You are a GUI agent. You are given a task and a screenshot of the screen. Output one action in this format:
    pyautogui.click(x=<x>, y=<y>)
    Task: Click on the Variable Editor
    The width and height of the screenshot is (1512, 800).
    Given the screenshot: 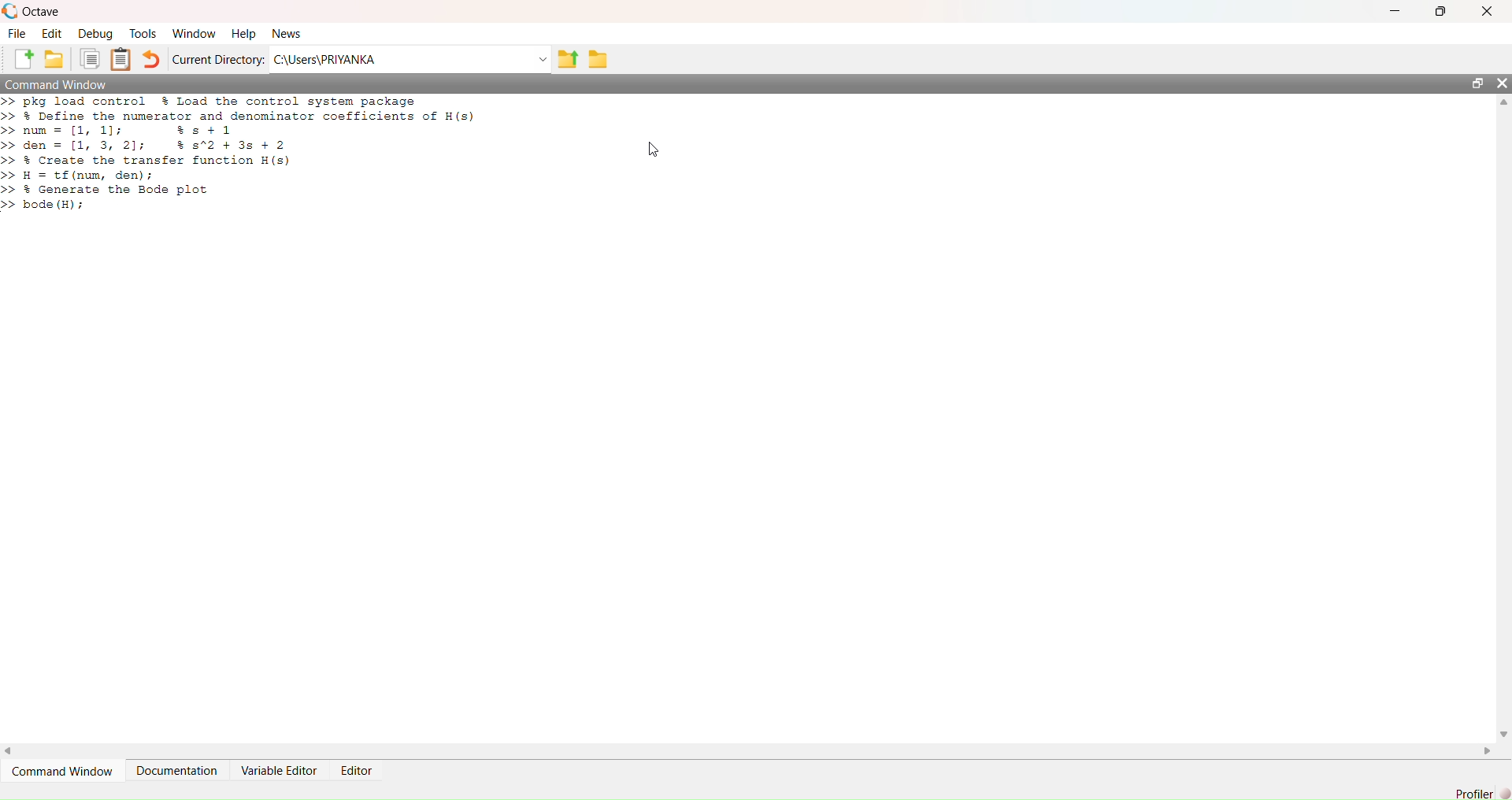 What is the action you would take?
    pyautogui.click(x=279, y=771)
    